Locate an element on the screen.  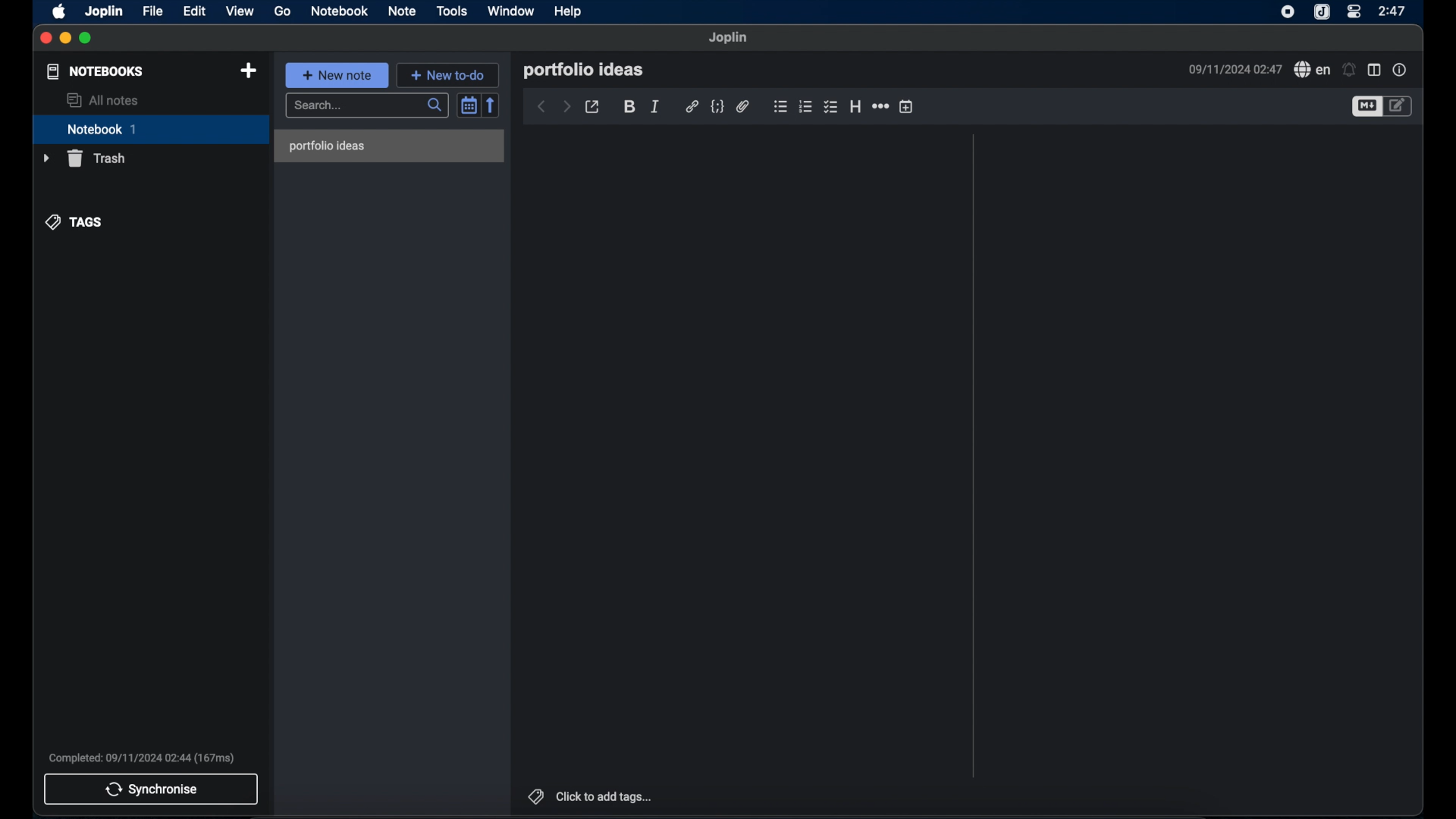
minimize is located at coordinates (65, 39).